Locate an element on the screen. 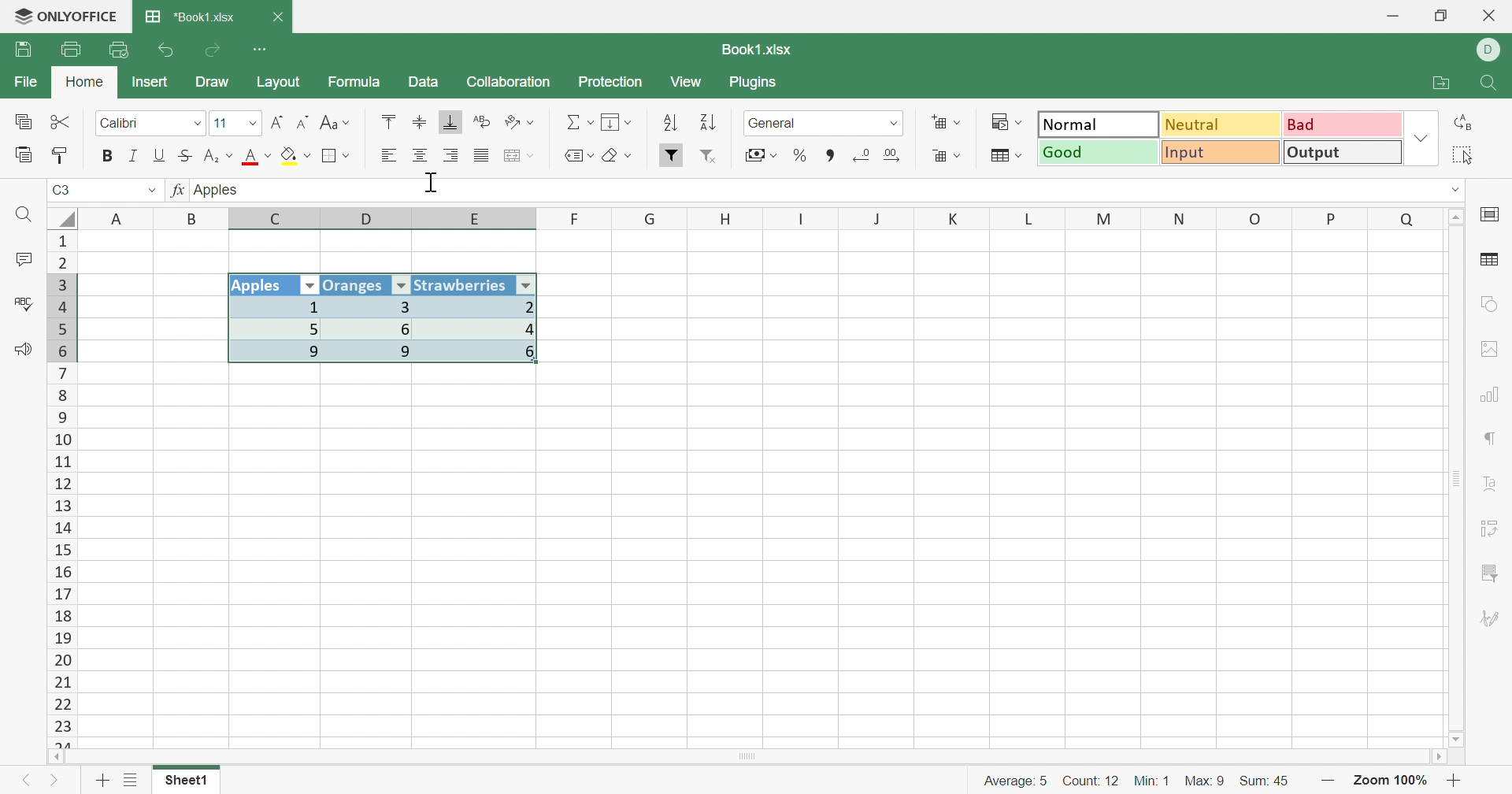 This screenshot has width=1512, height=794. O is located at coordinates (1256, 219).